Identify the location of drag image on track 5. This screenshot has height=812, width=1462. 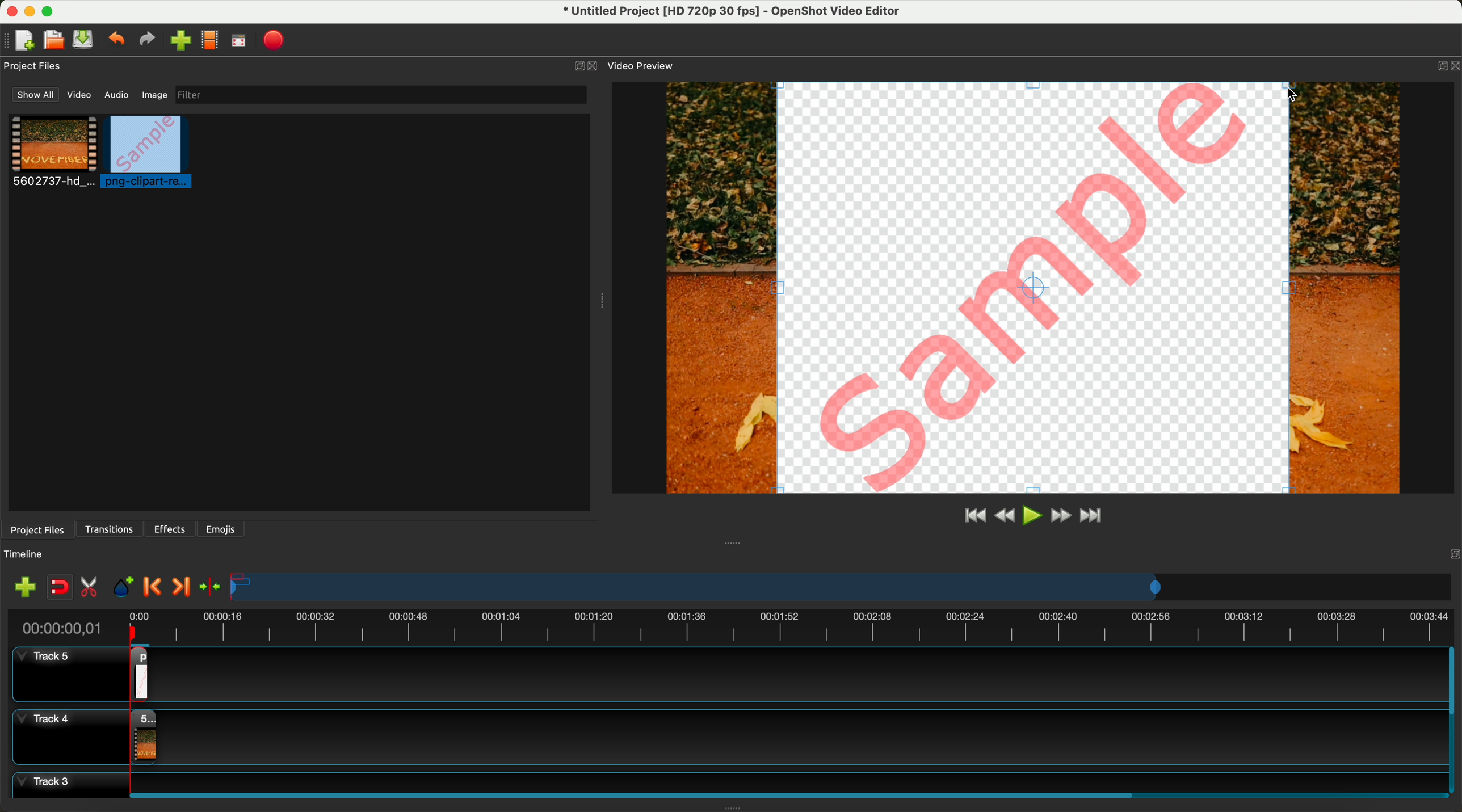
(142, 673).